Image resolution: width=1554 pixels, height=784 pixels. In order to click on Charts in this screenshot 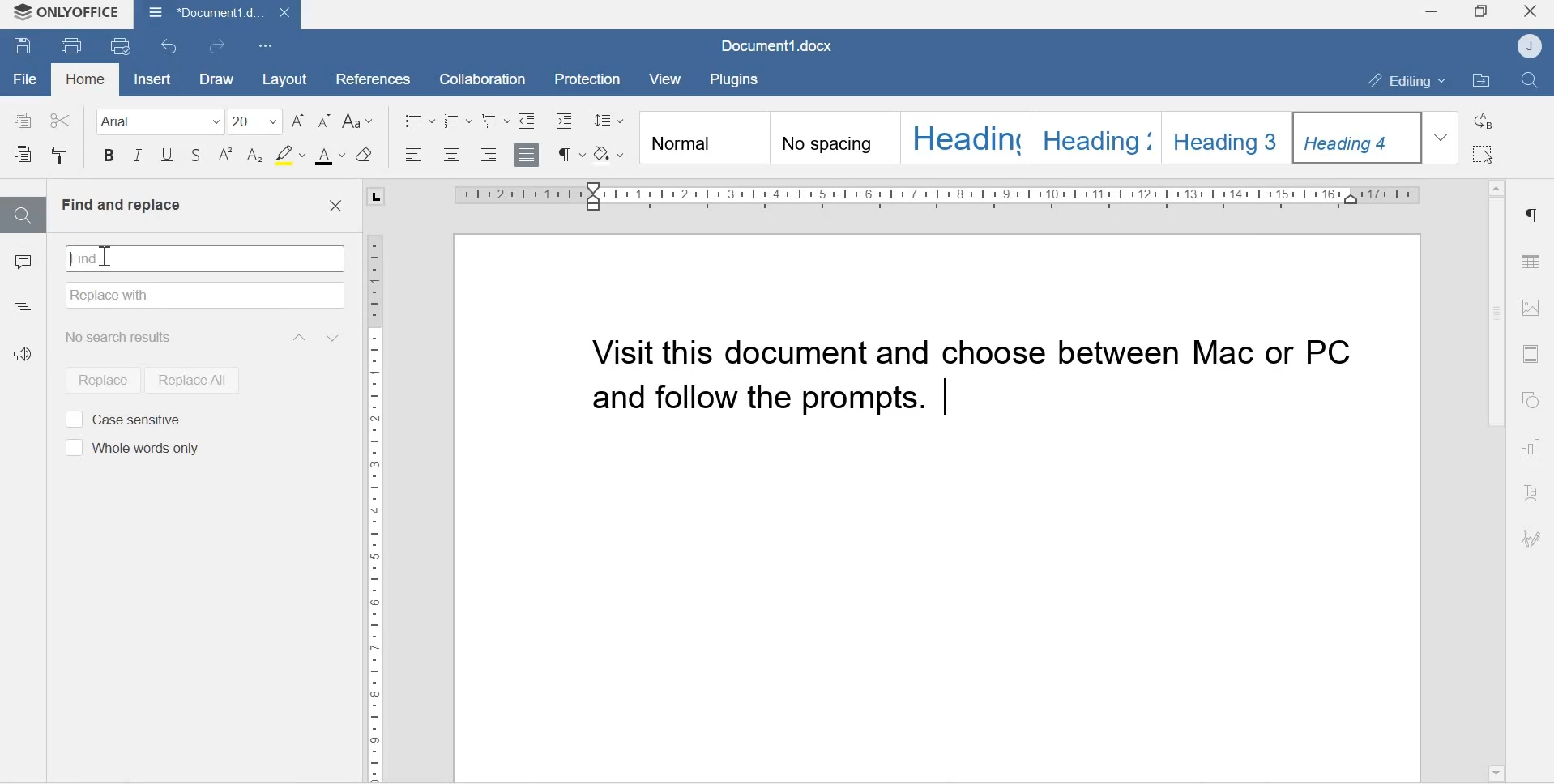, I will do `click(1533, 449)`.